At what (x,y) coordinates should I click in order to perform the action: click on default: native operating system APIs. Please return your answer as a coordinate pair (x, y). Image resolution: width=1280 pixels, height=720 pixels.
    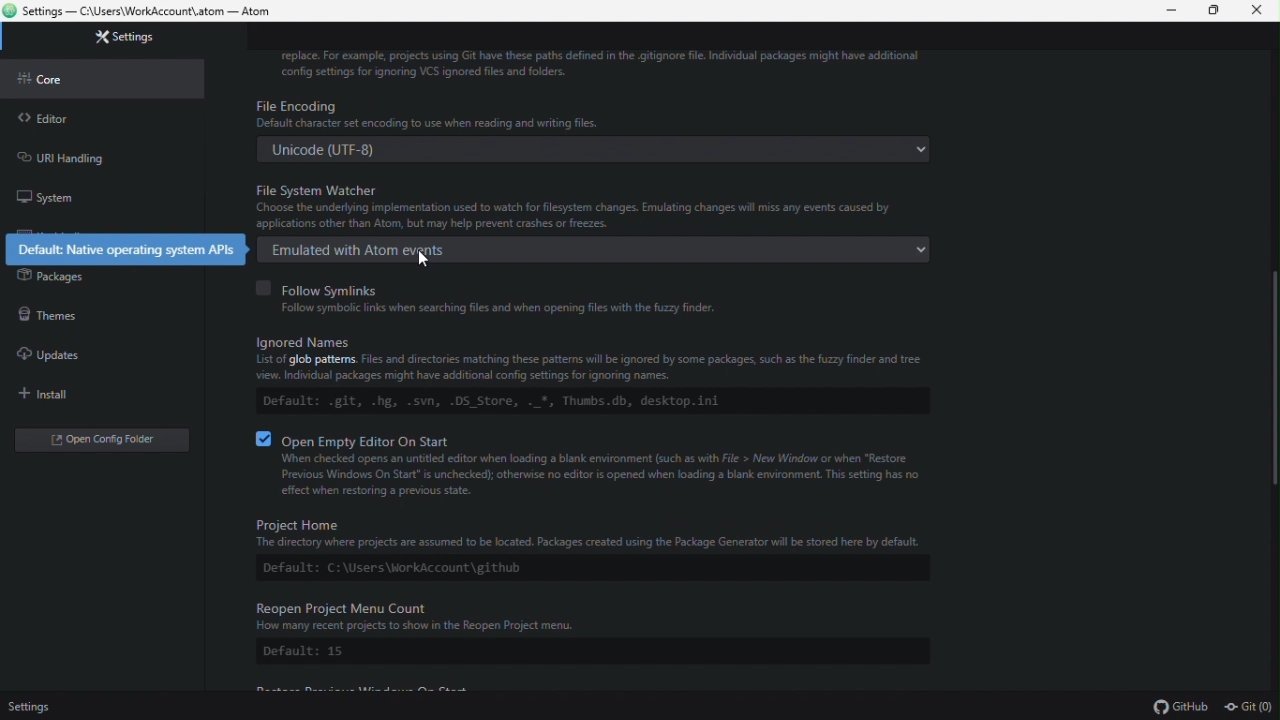
    Looking at the image, I should click on (128, 250).